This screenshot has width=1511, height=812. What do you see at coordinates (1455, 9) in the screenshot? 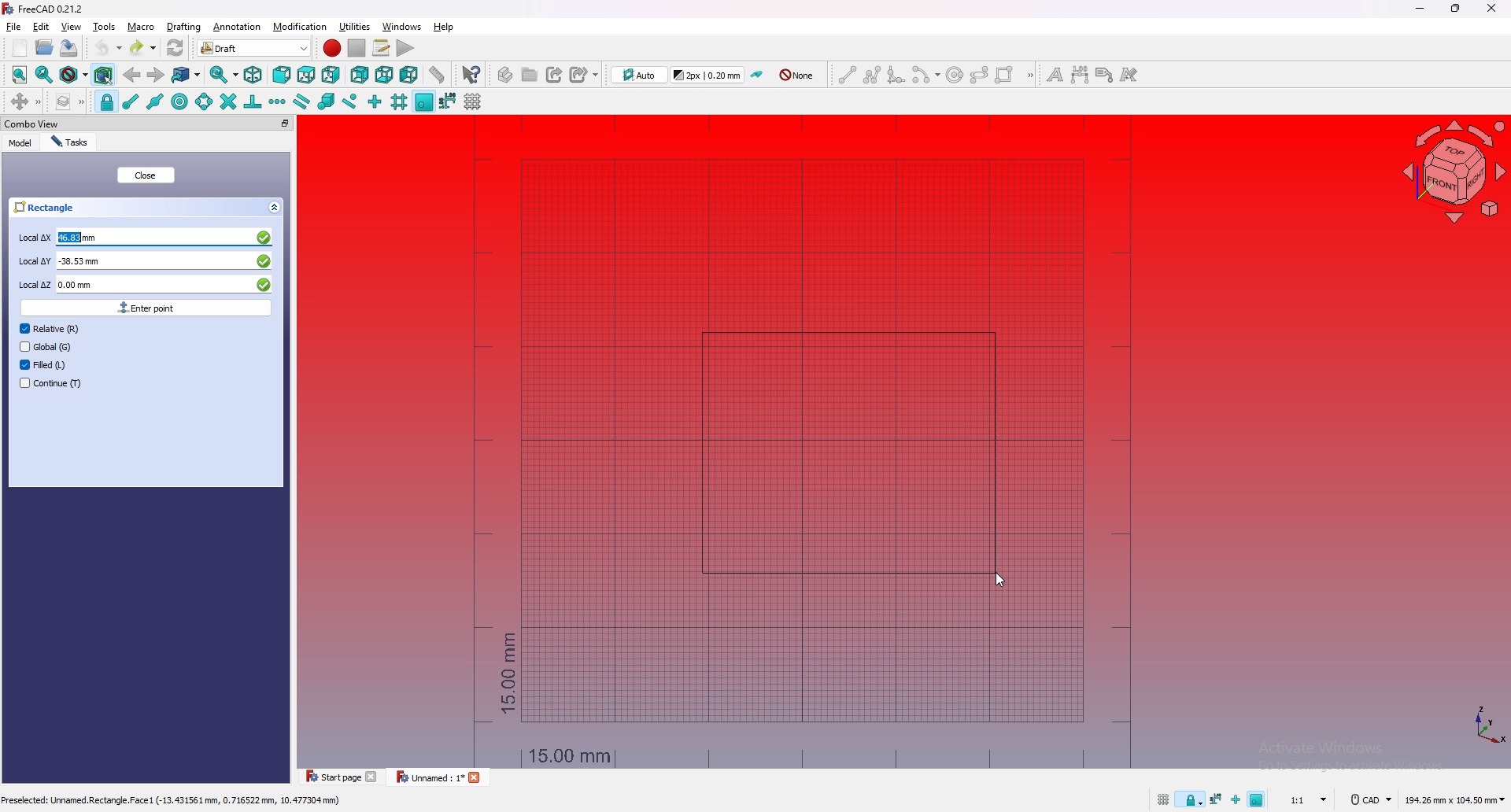
I see `resize` at bounding box center [1455, 9].